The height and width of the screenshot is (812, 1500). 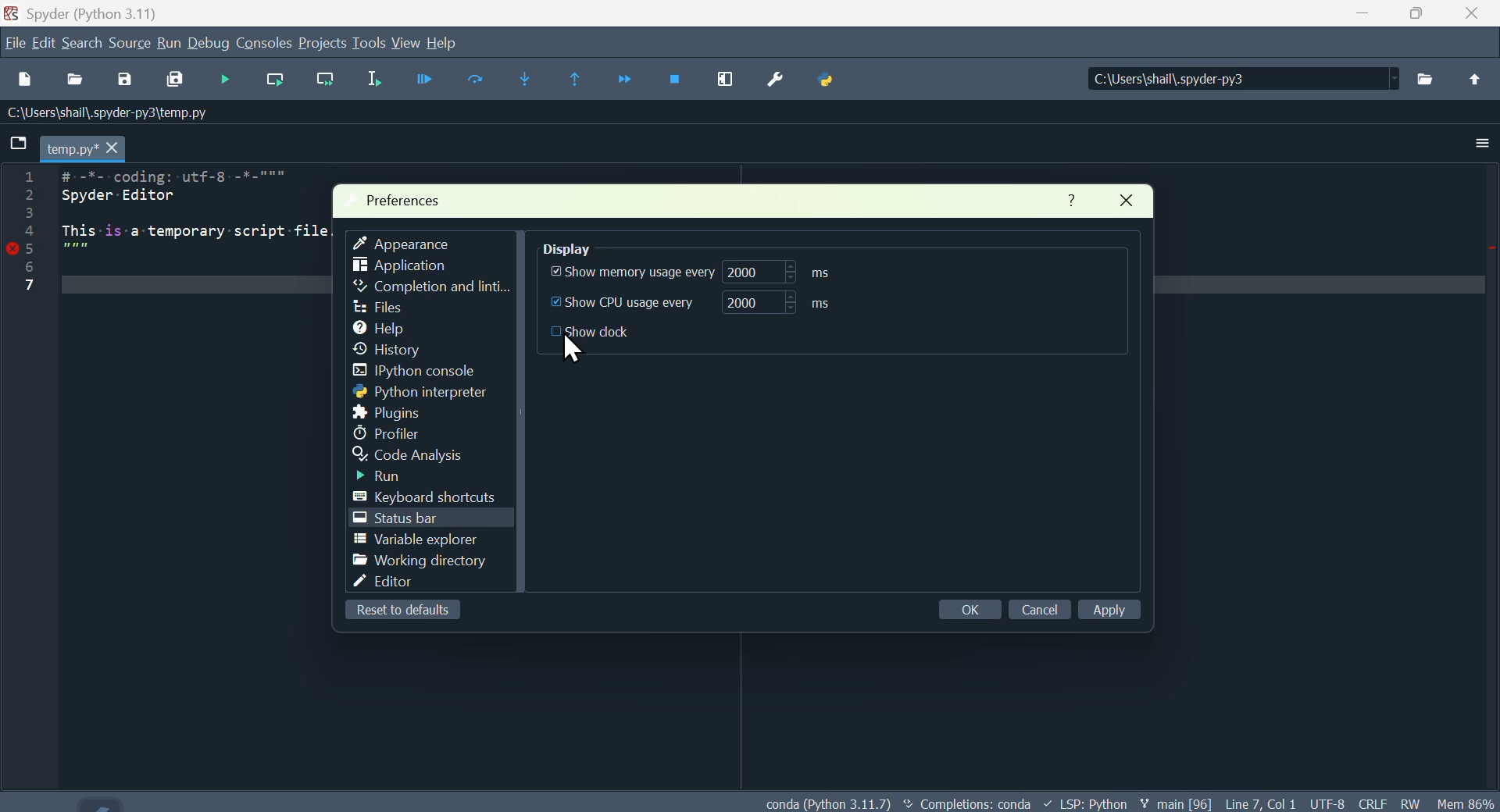 I want to click on Project, so click(x=323, y=45).